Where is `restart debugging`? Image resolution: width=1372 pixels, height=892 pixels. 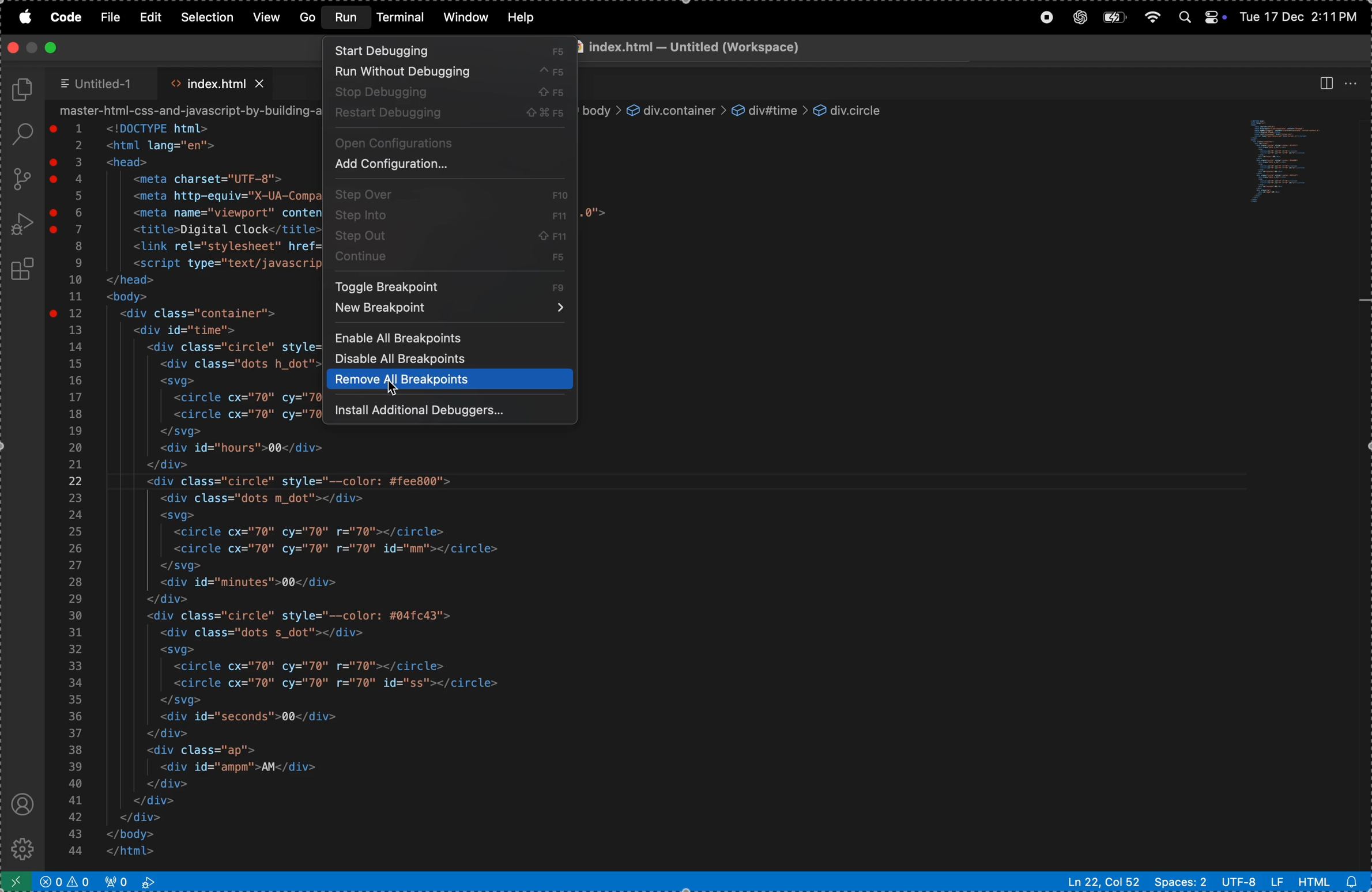
restart debugging is located at coordinates (448, 115).